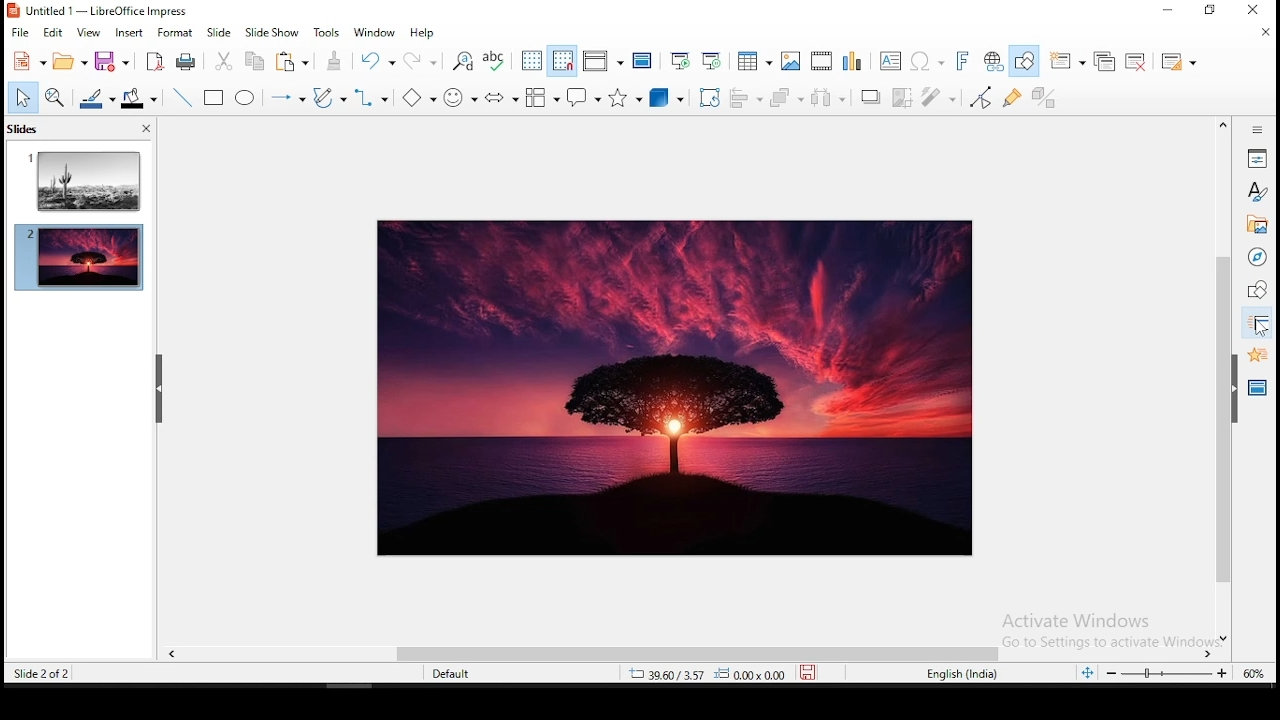  Describe the element at coordinates (833, 98) in the screenshot. I see `distribute` at that location.